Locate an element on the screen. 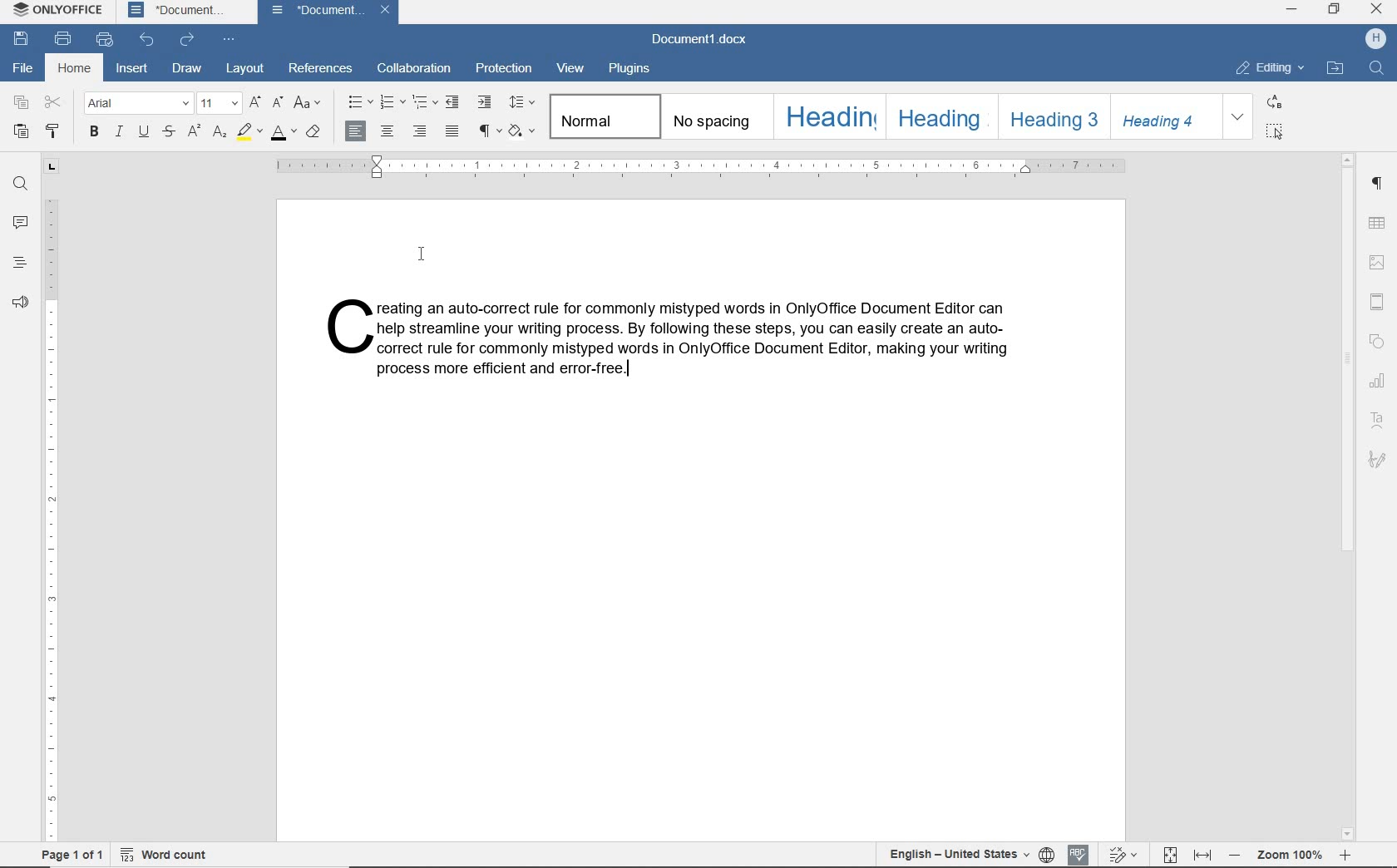  SUBSCRIPT is located at coordinates (220, 133).